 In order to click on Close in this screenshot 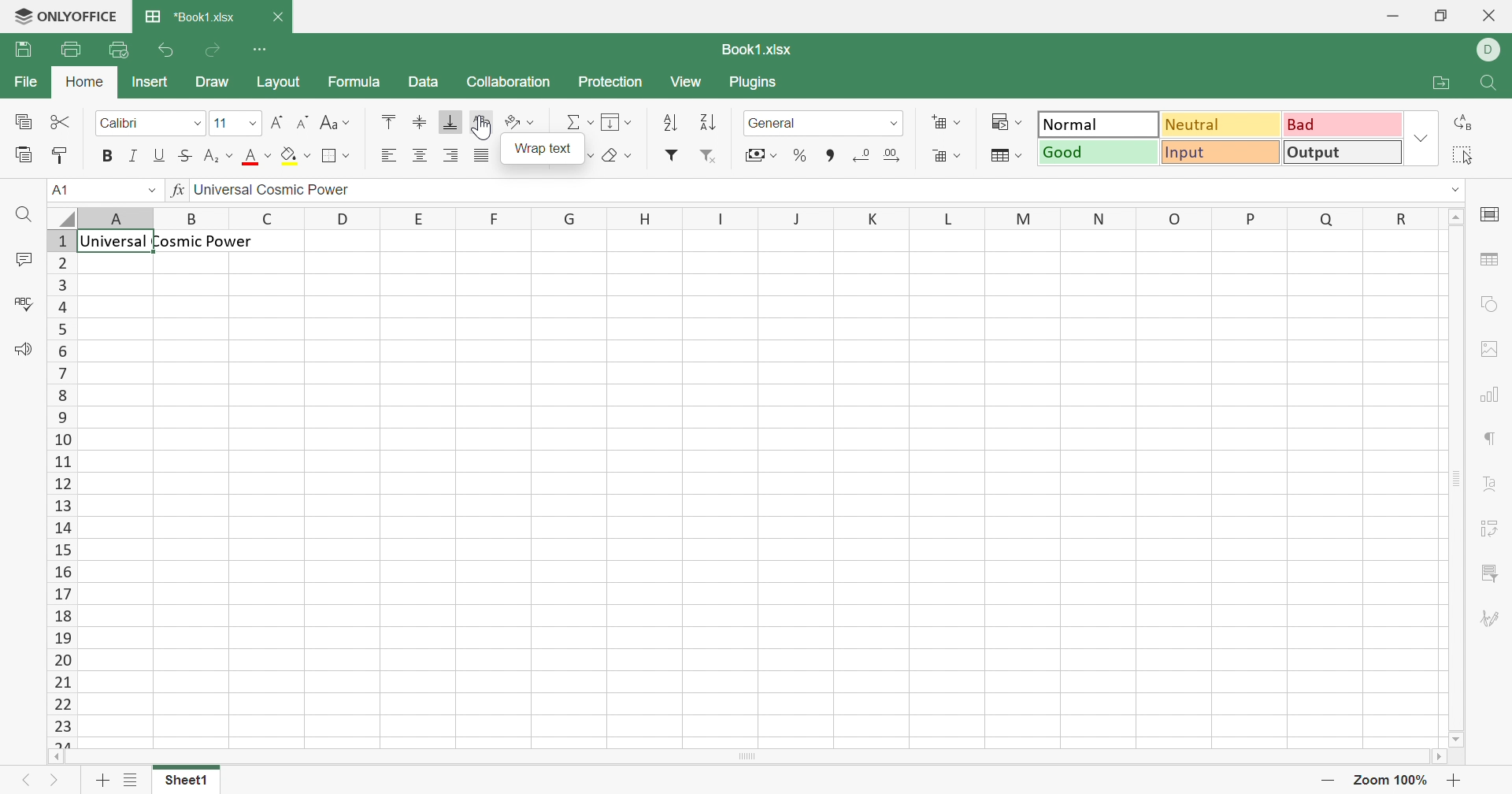, I will do `click(1486, 18)`.